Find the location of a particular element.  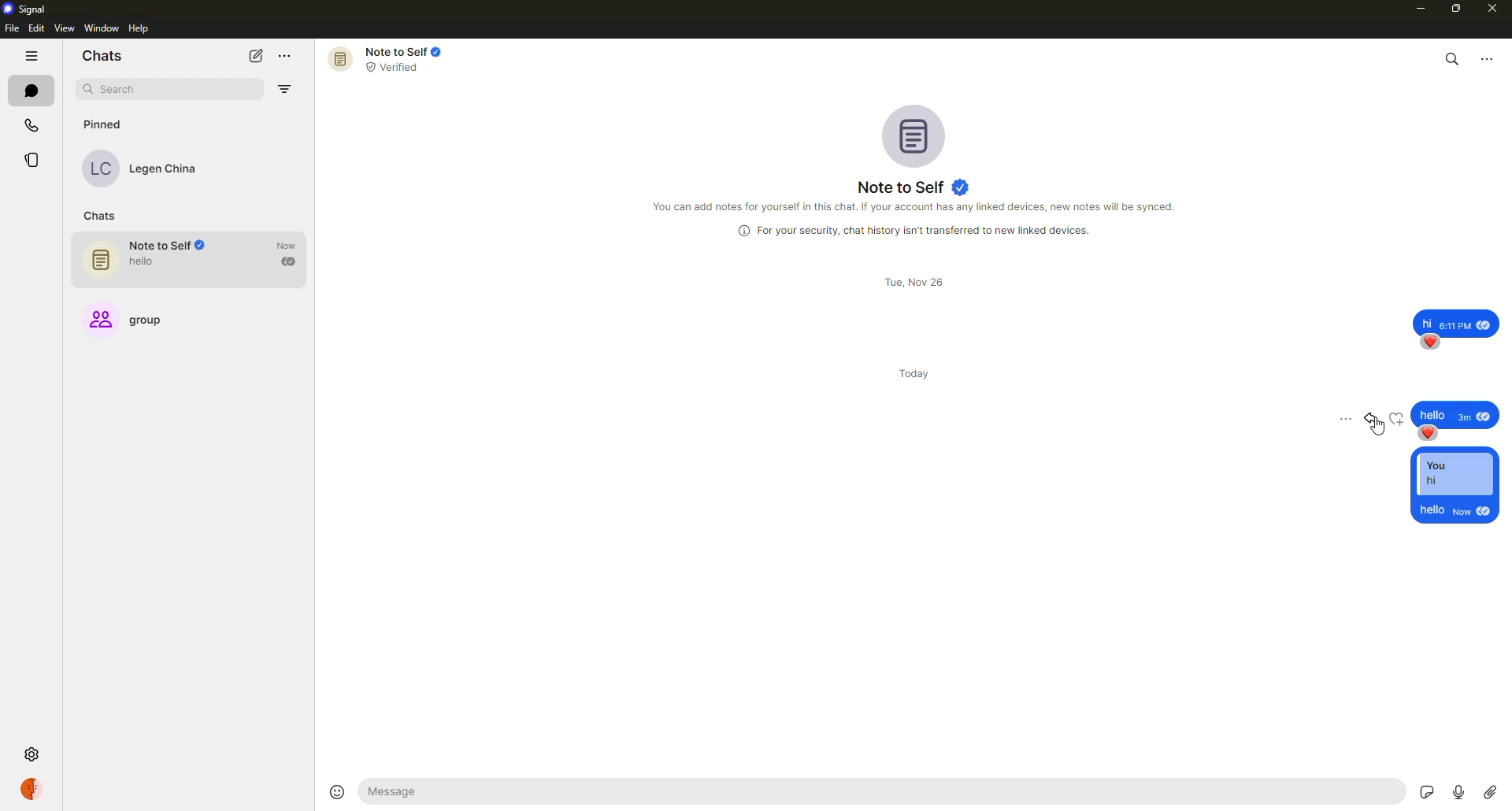

window is located at coordinates (101, 28).